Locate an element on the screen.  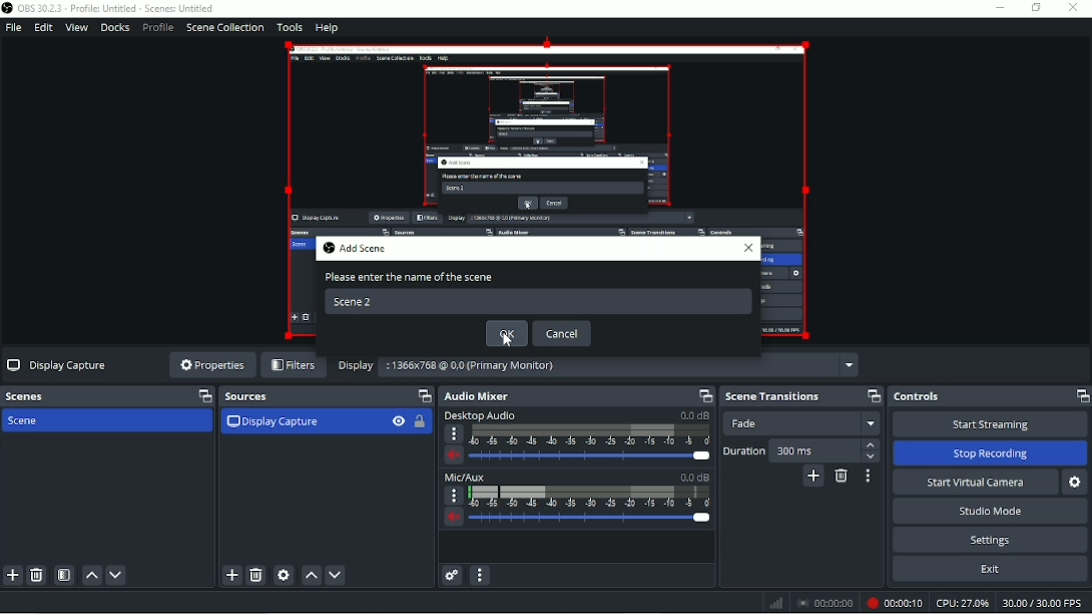
Add source is located at coordinates (232, 576).